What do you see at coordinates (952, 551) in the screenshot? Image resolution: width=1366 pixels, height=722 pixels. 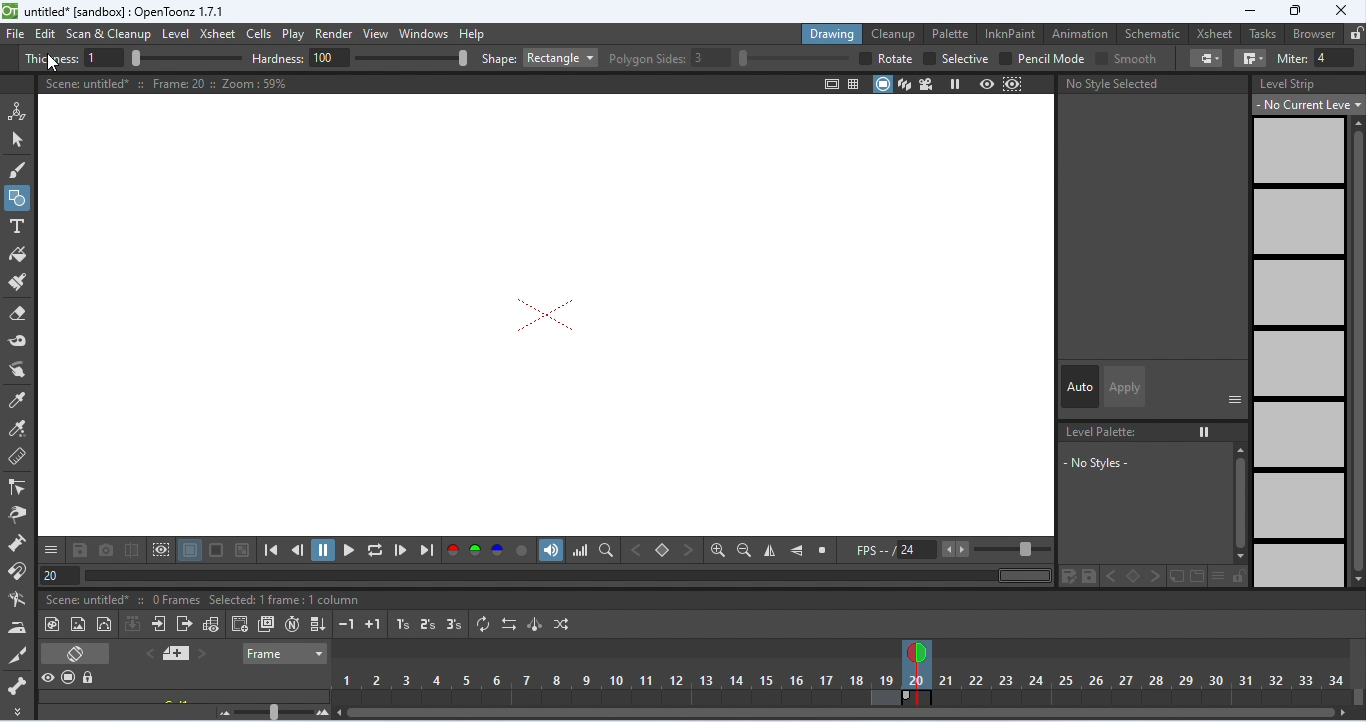 I see `FPS` at bounding box center [952, 551].